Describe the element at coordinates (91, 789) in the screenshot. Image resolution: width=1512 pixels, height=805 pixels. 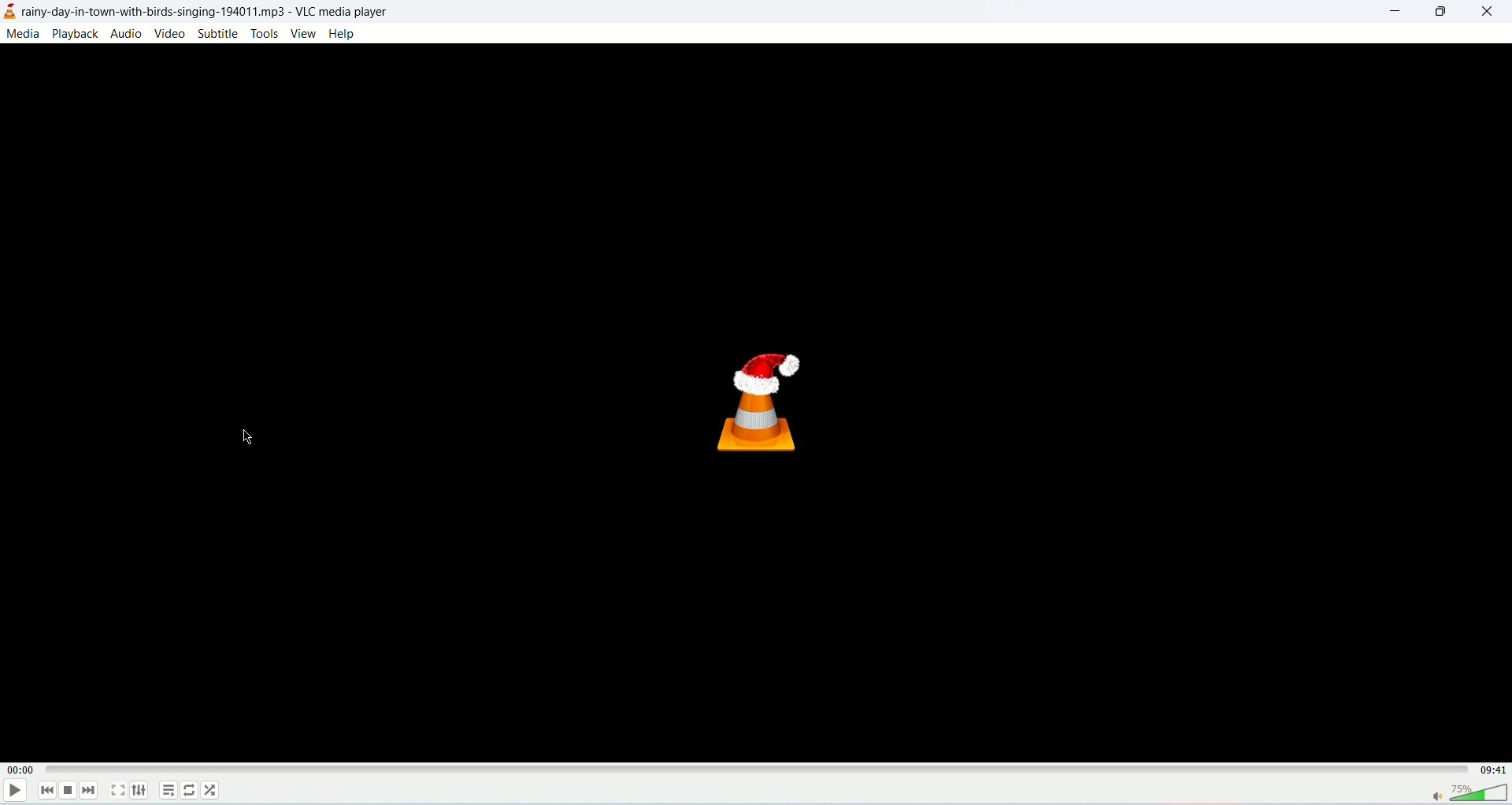
I see `next` at that location.